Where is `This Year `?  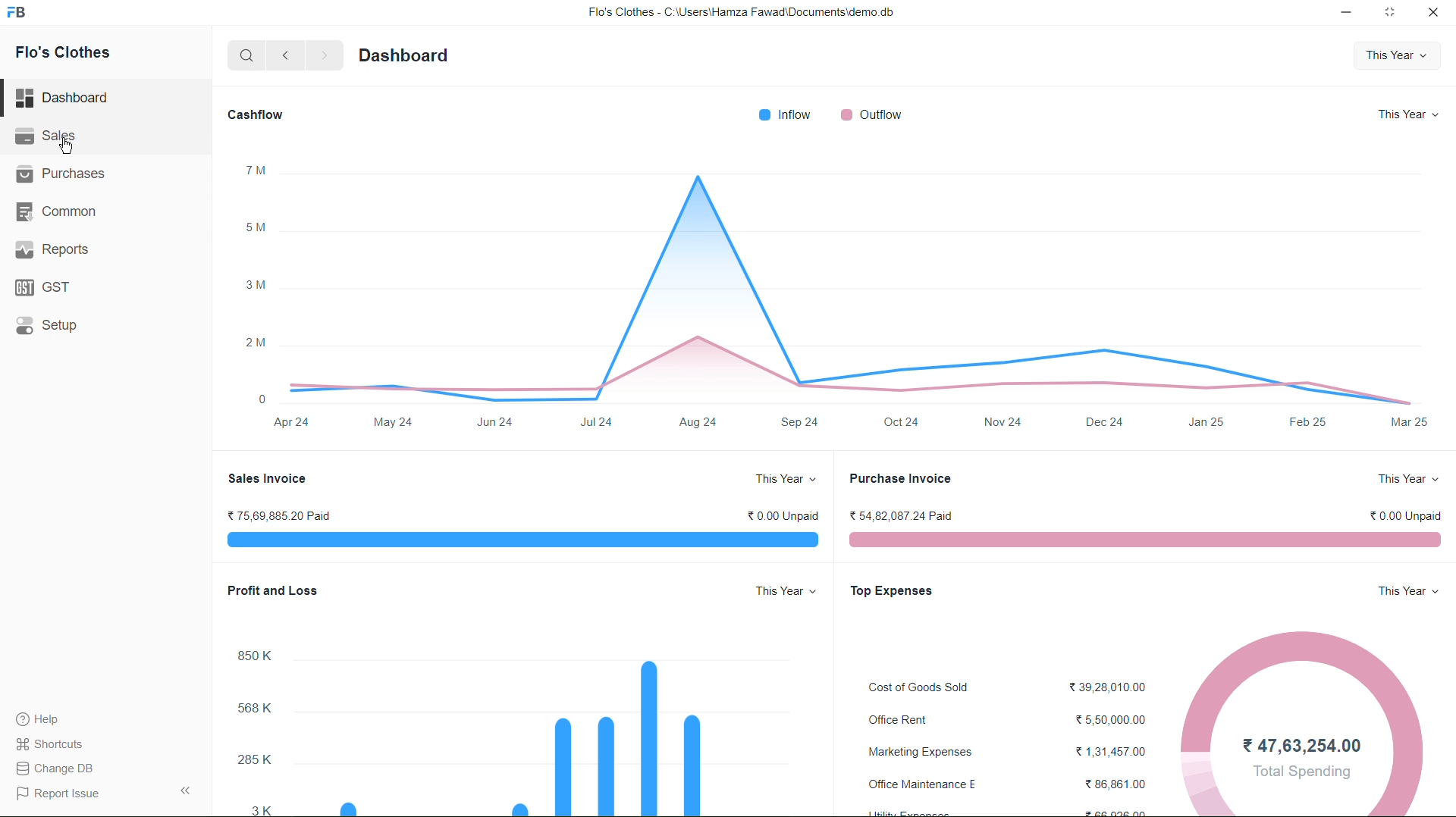 This Year  is located at coordinates (779, 477).